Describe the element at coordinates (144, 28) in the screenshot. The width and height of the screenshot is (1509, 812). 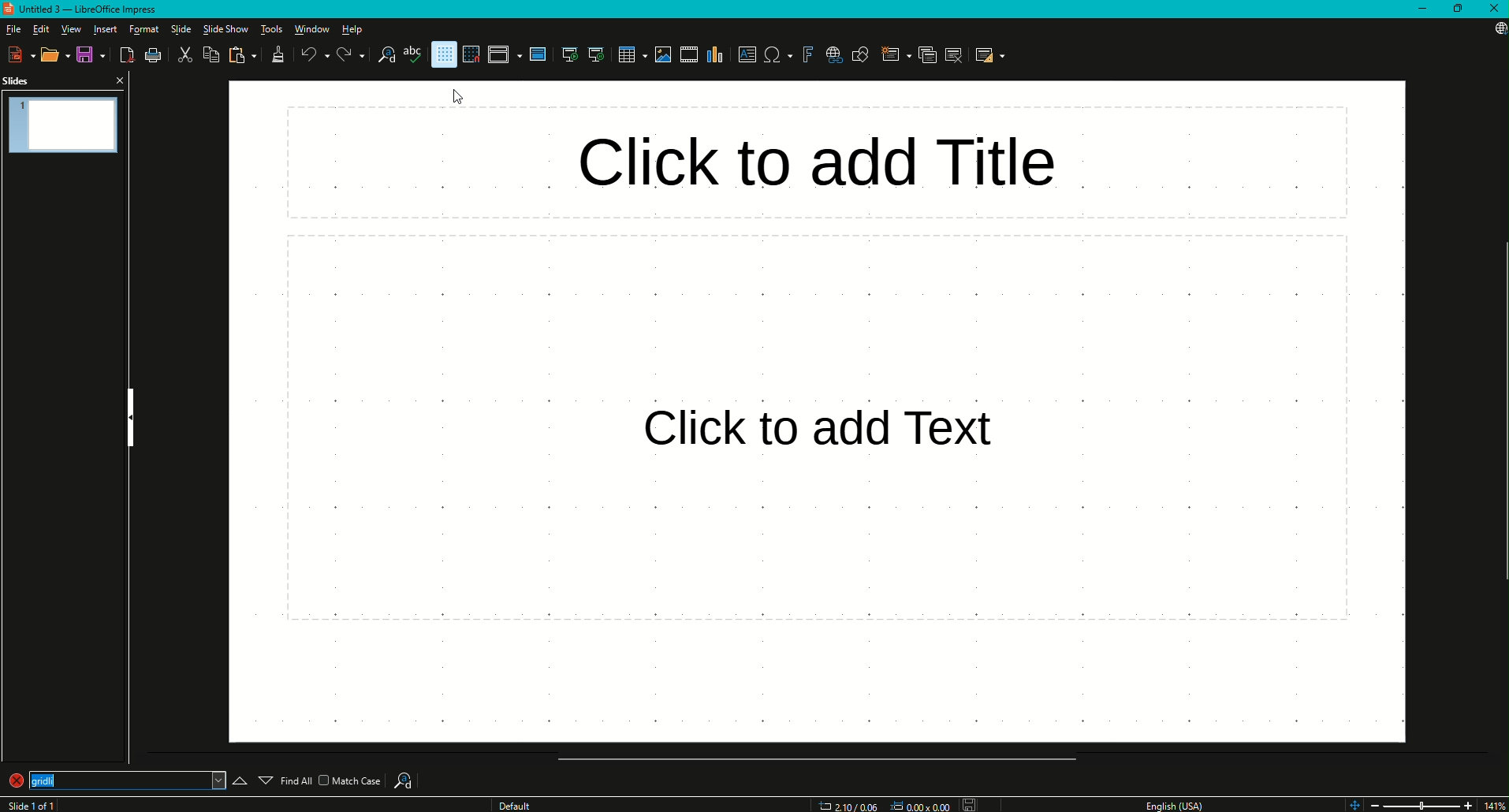
I see `Format` at that location.